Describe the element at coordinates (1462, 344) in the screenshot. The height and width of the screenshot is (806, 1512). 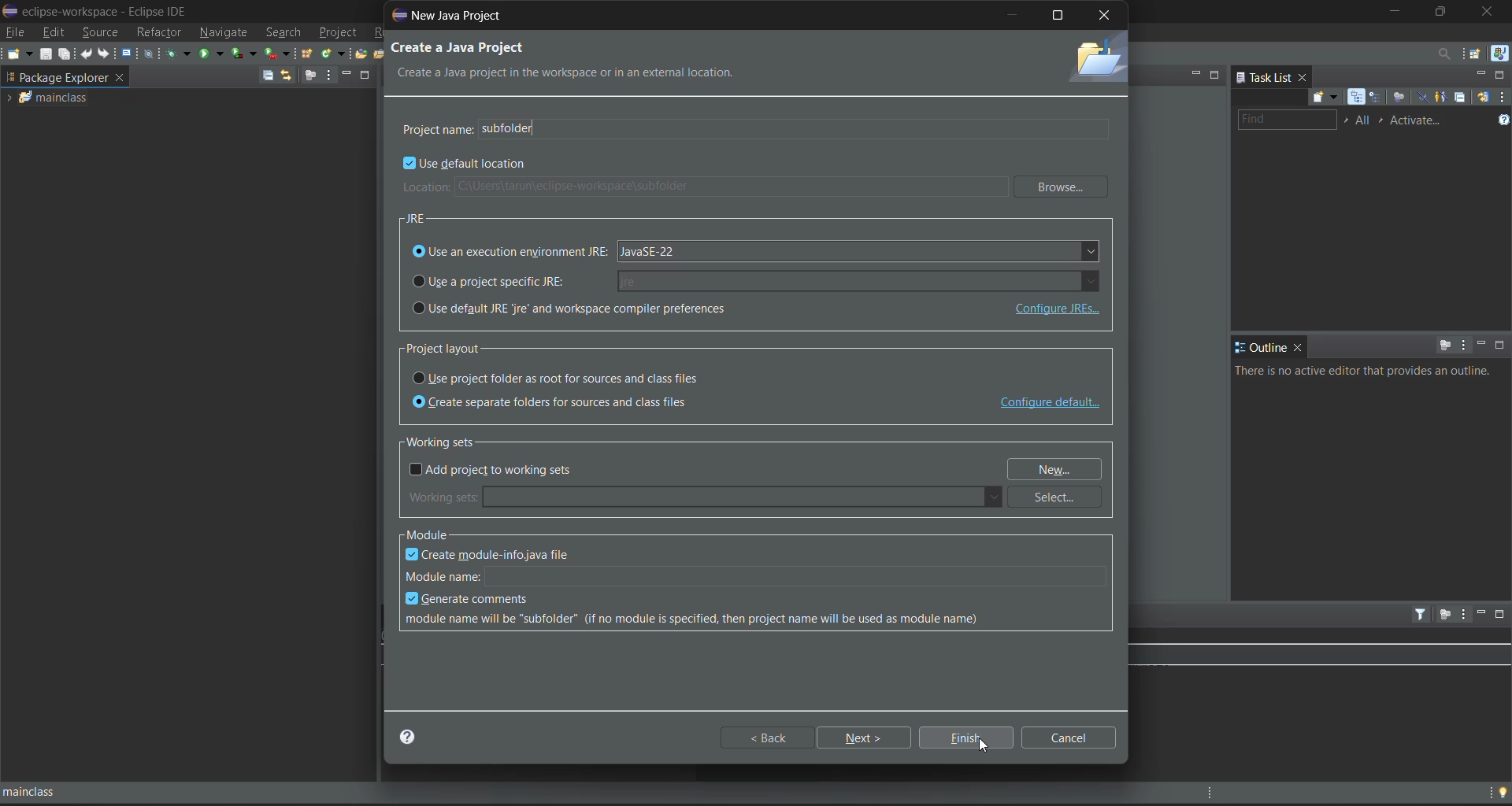
I see `view menu` at that location.